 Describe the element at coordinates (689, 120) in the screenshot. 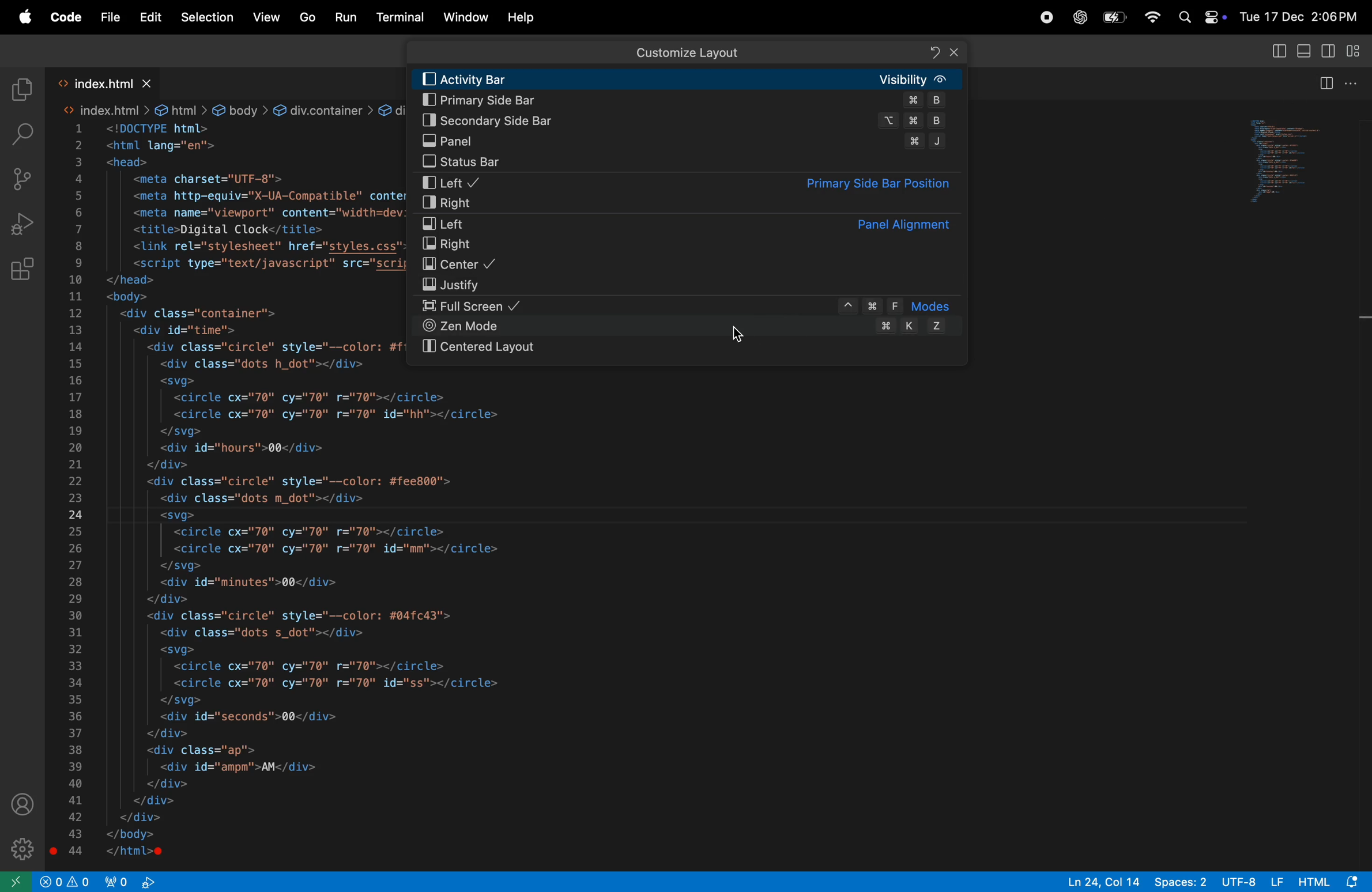

I see `secondary bar` at that location.